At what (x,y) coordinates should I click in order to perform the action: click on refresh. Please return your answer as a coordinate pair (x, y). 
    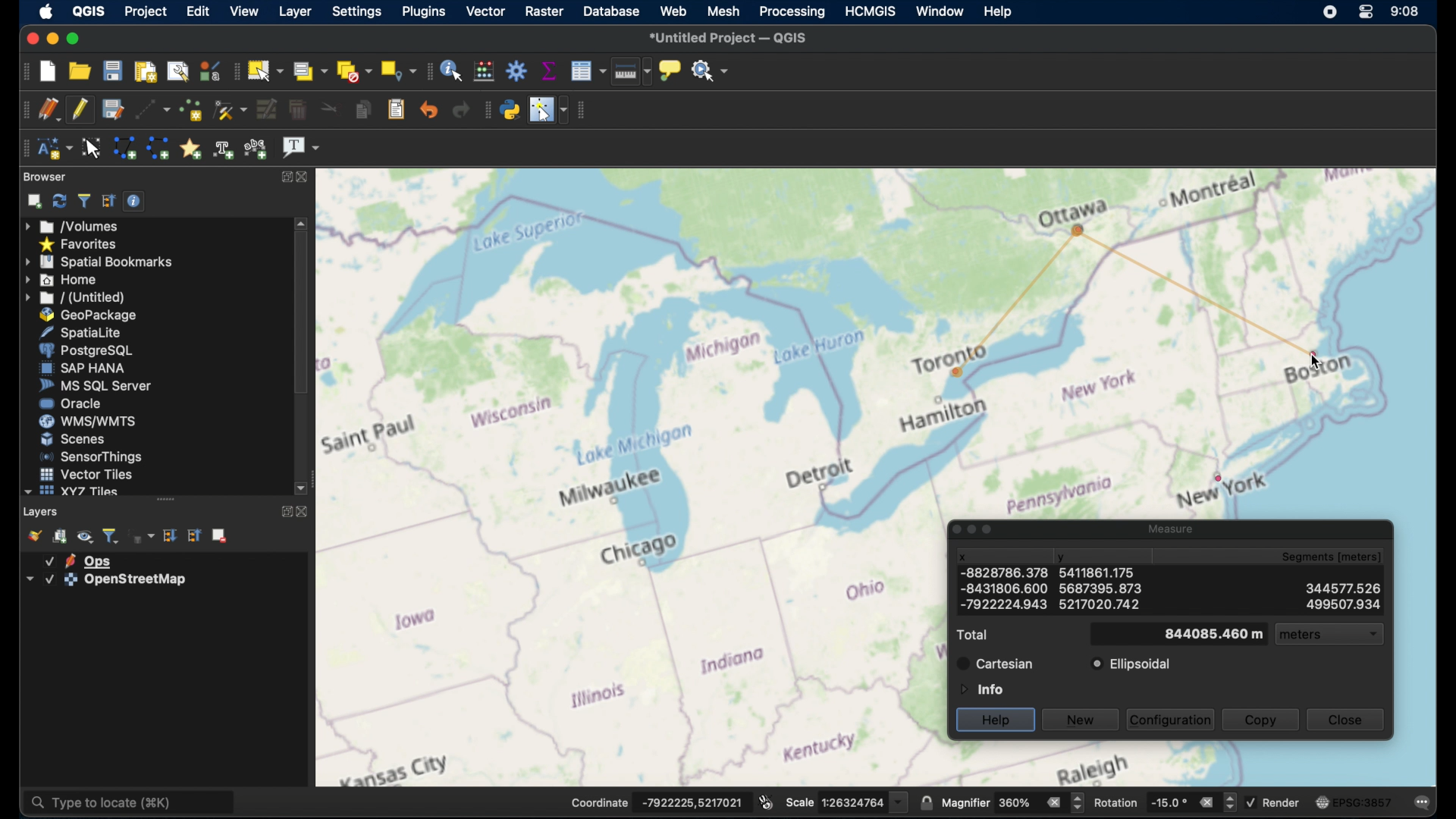
    Looking at the image, I should click on (58, 201).